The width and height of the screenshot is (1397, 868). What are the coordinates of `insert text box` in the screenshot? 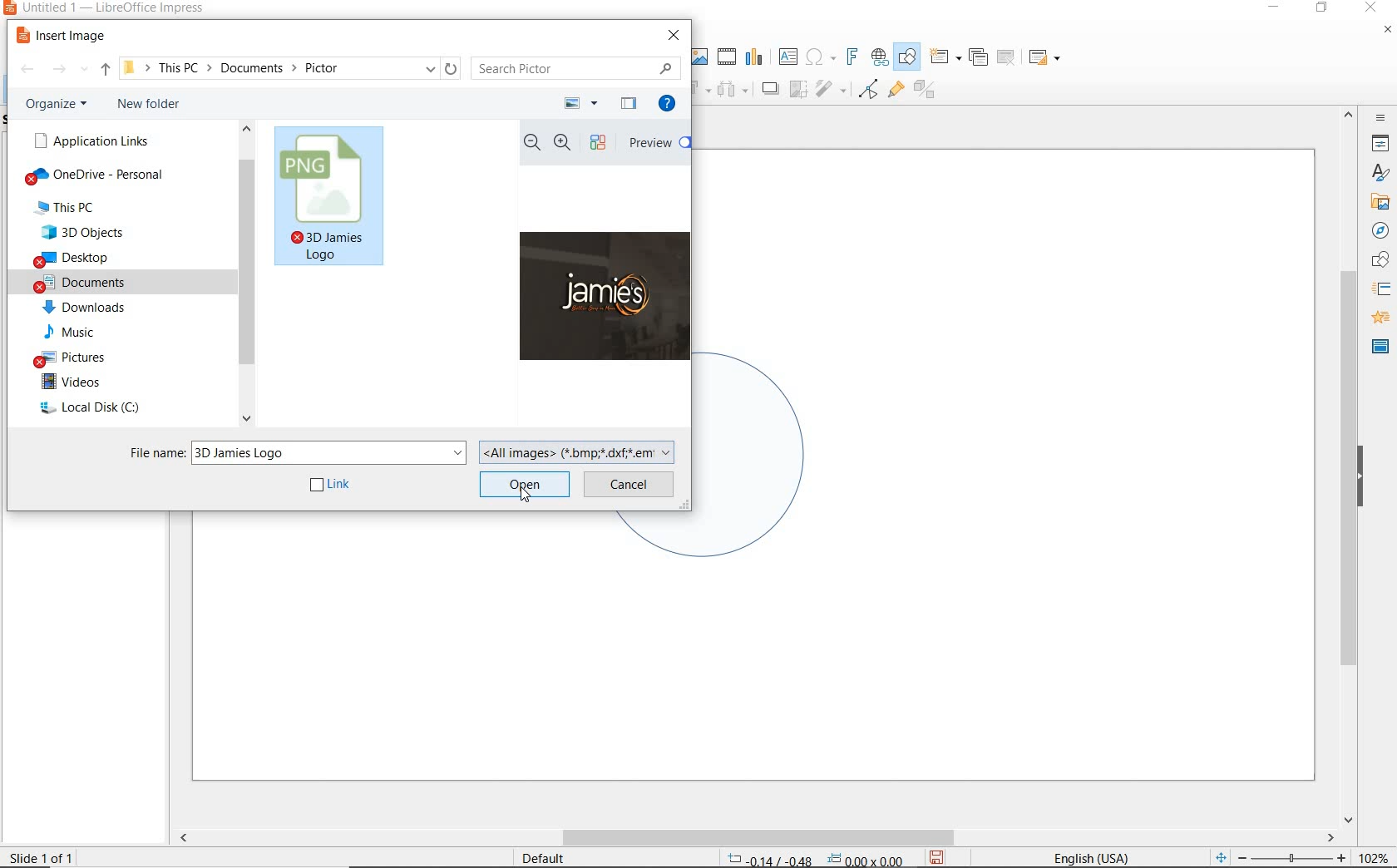 It's located at (787, 57).